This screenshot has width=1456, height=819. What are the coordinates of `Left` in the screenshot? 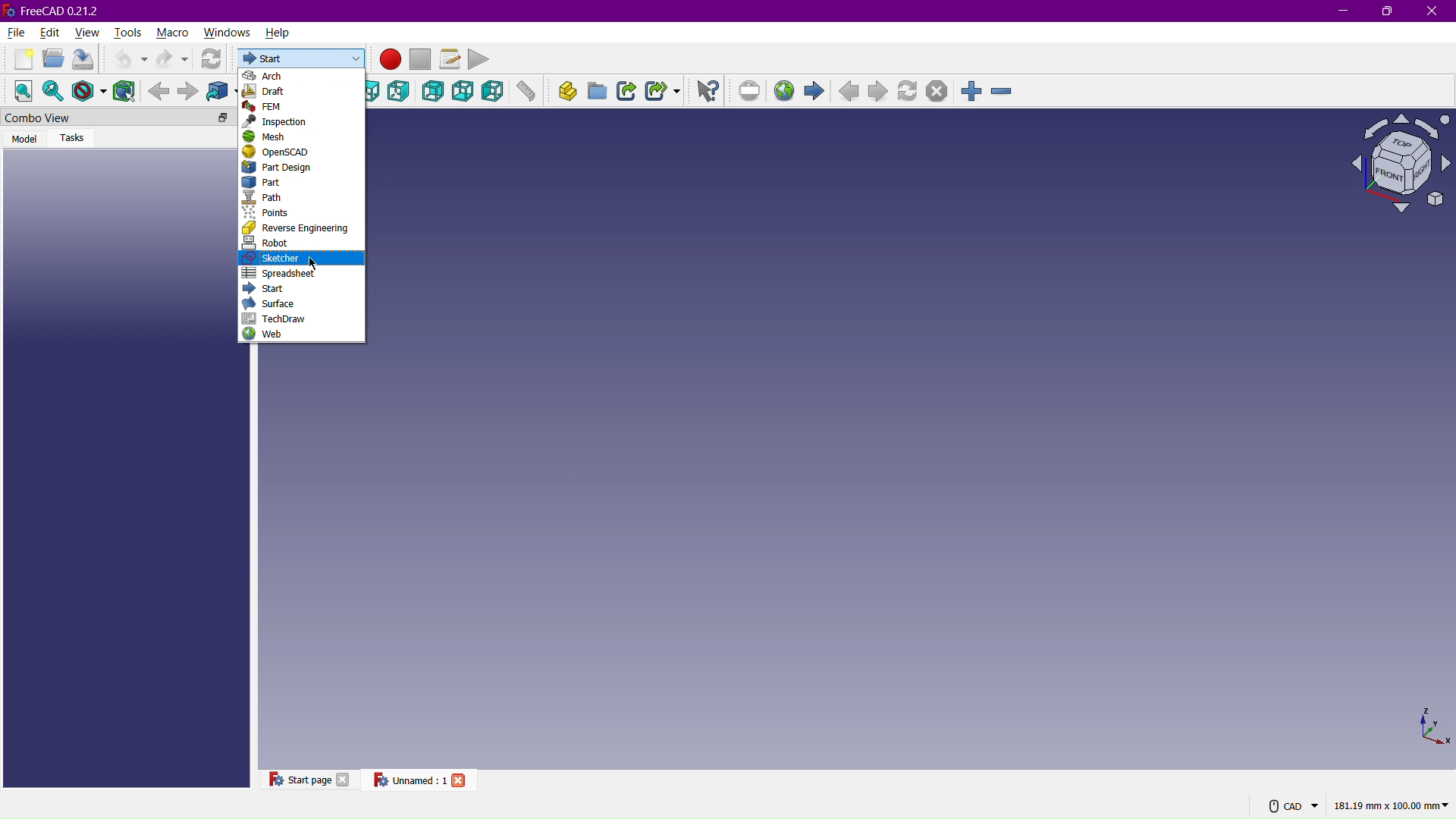 It's located at (495, 89).